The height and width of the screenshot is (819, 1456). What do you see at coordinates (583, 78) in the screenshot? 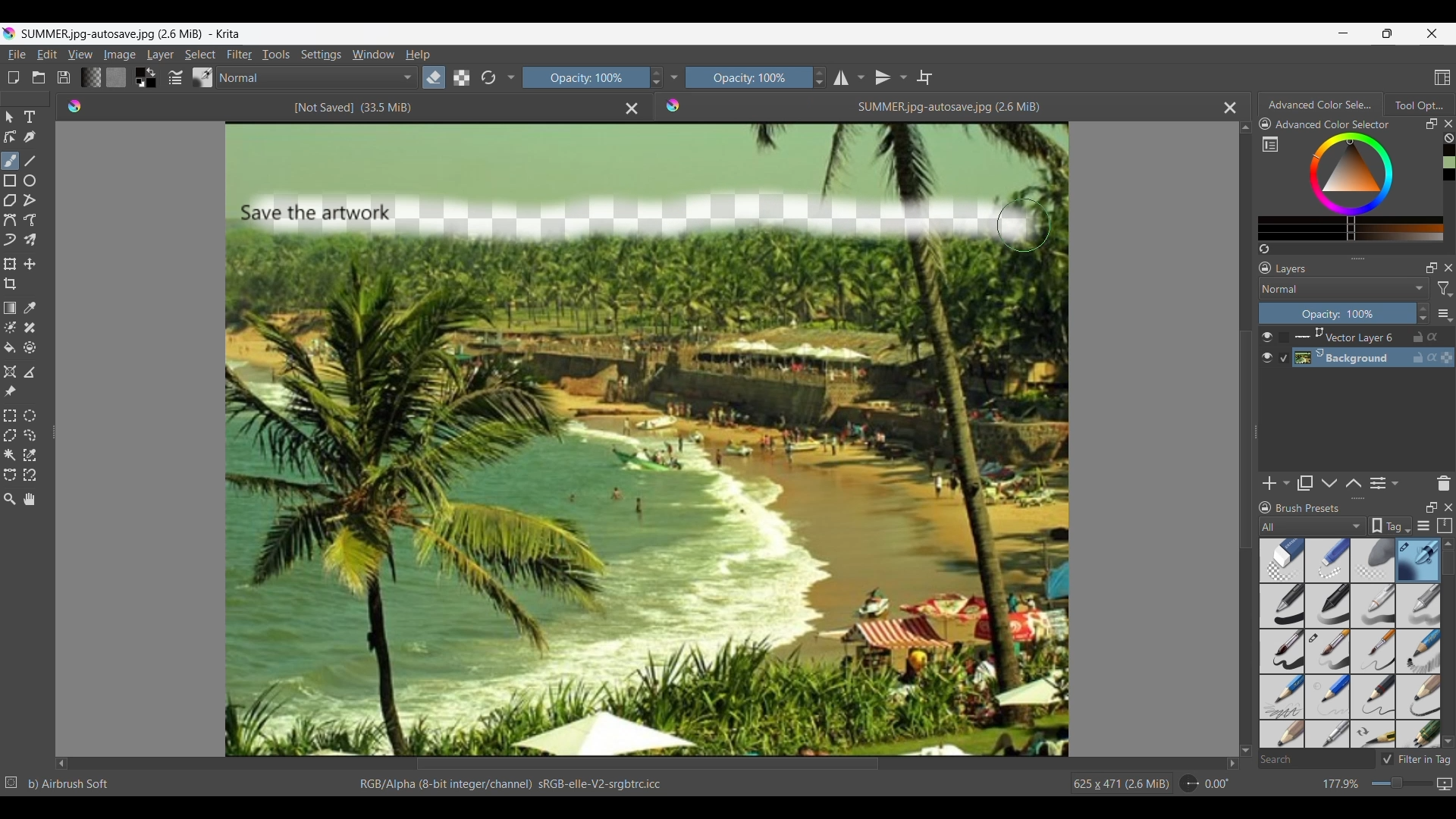
I see `Opacity 100%` at bounding box center [583, 78].